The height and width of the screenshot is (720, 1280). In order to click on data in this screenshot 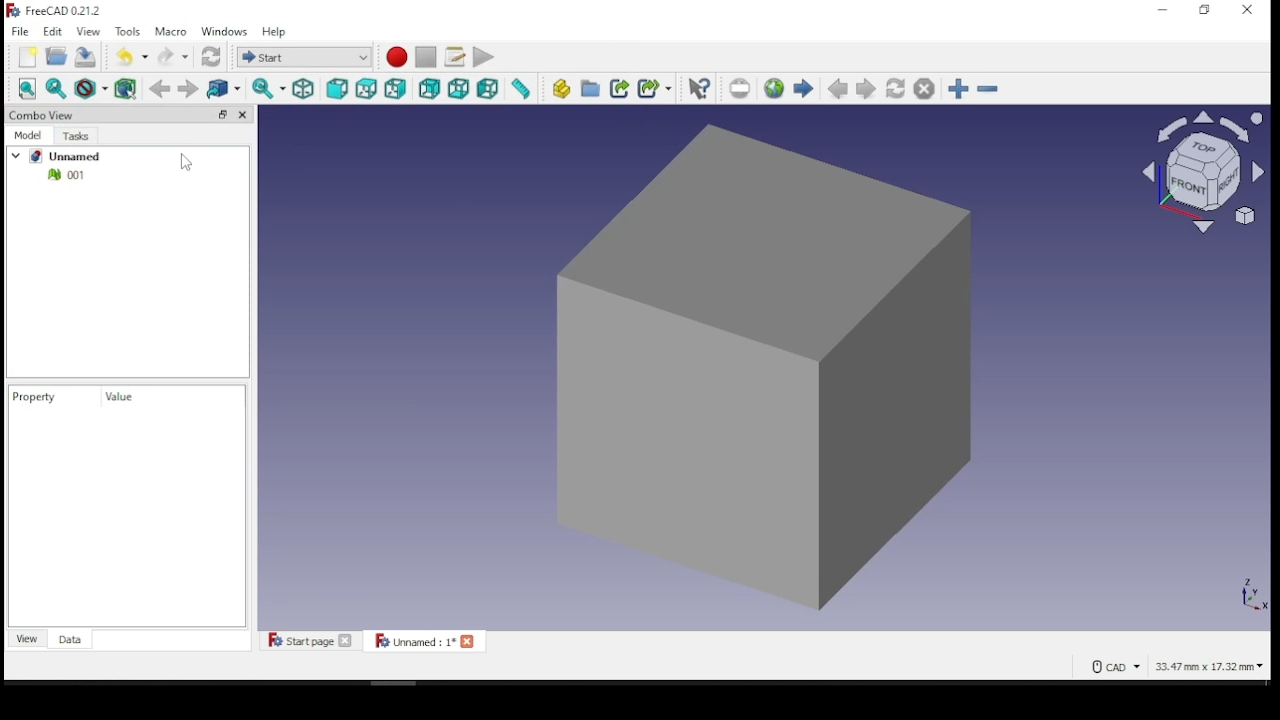, I will do `click(69, 639)`.